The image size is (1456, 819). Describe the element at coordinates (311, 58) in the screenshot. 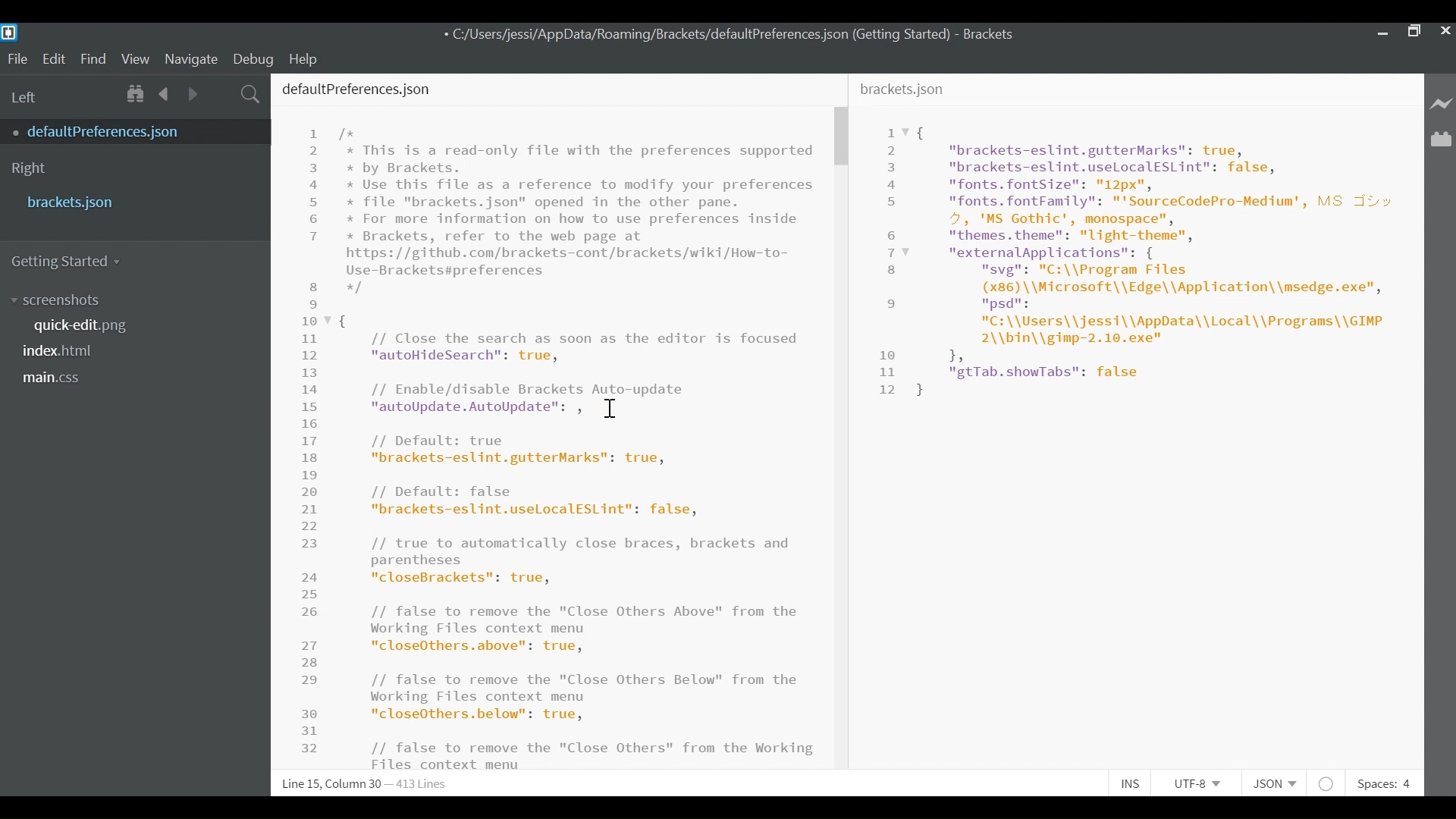

I see `Help` at that location.